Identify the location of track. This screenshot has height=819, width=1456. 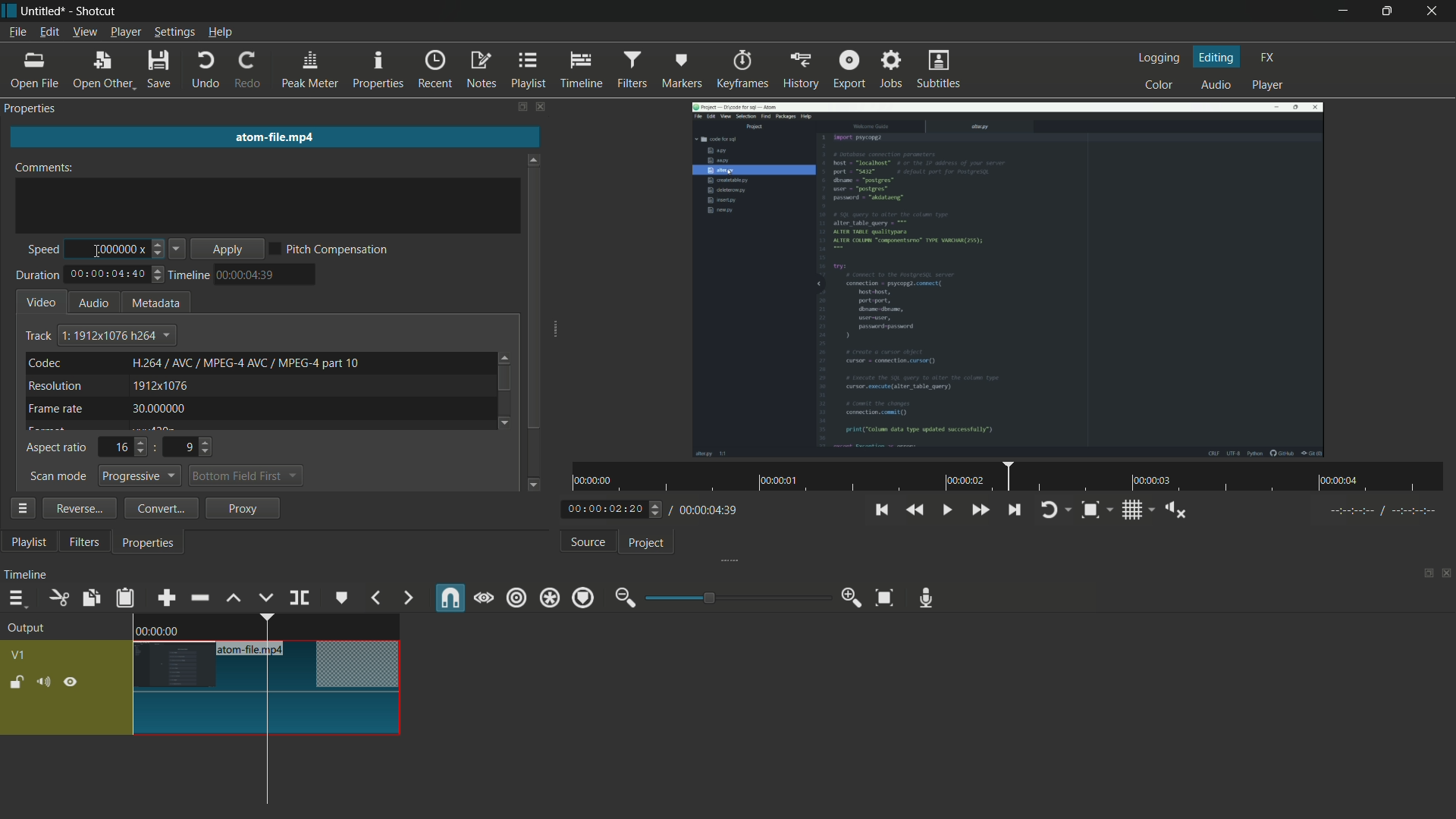
(38, 337).